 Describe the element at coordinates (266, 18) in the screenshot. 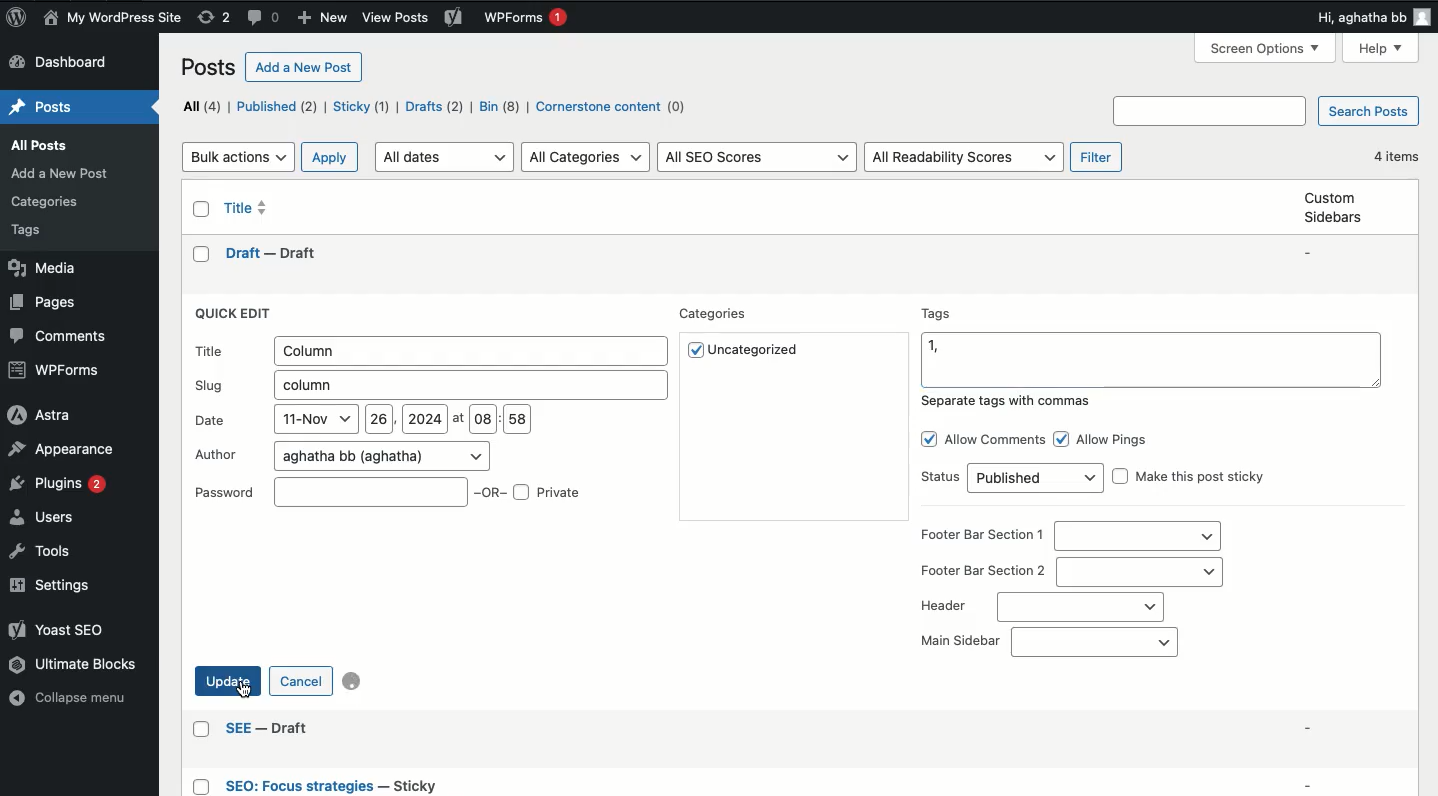

I see `Comments` at that location.